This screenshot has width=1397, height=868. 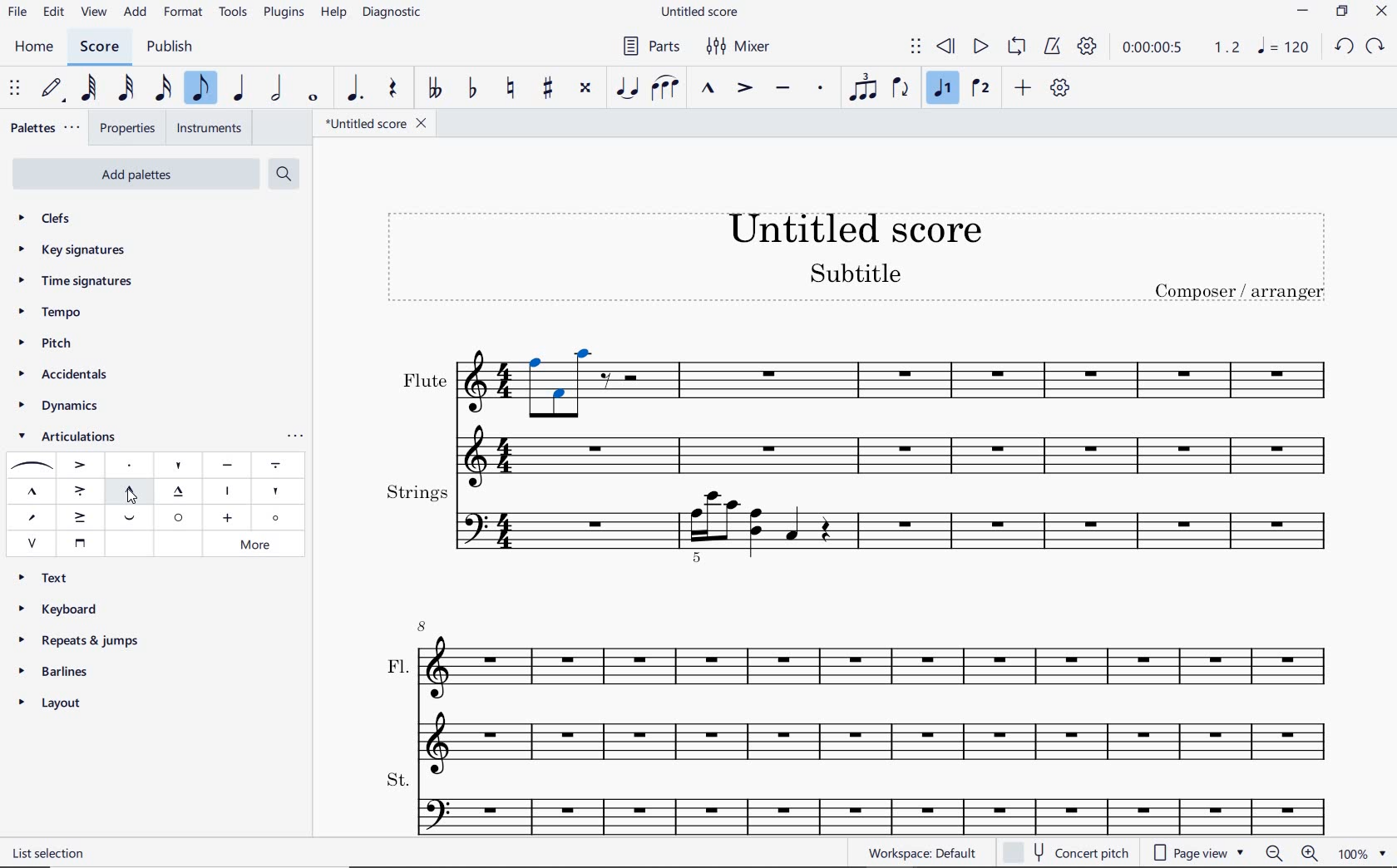 What do you see at coordinates (313, 98) in the screenshot?
I see `WHOLE NOTE` at bounding box center [313, 98].